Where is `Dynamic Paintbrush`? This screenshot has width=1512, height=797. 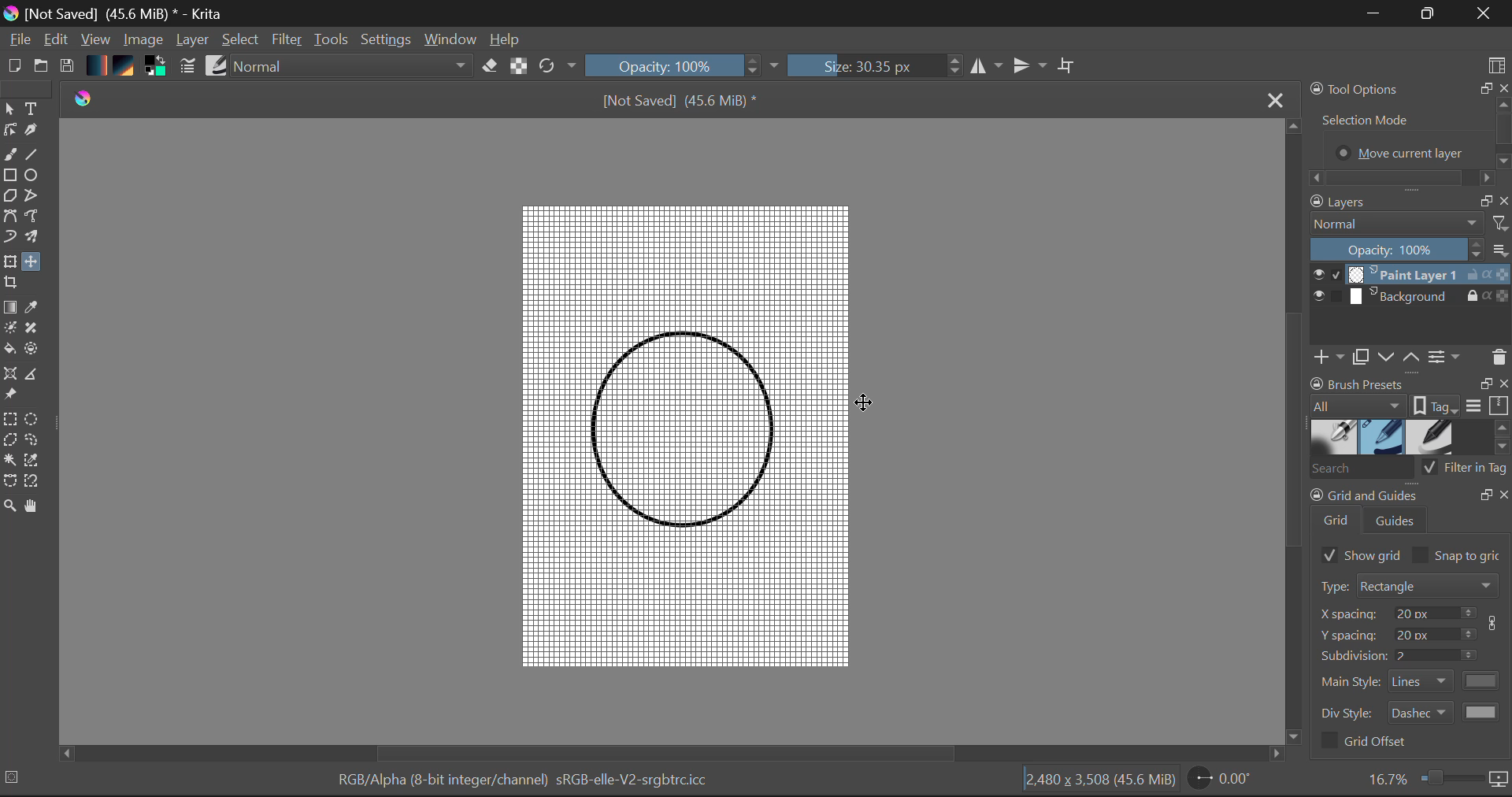
Dynamic Paintbrush is located at coordinates (9, 238).